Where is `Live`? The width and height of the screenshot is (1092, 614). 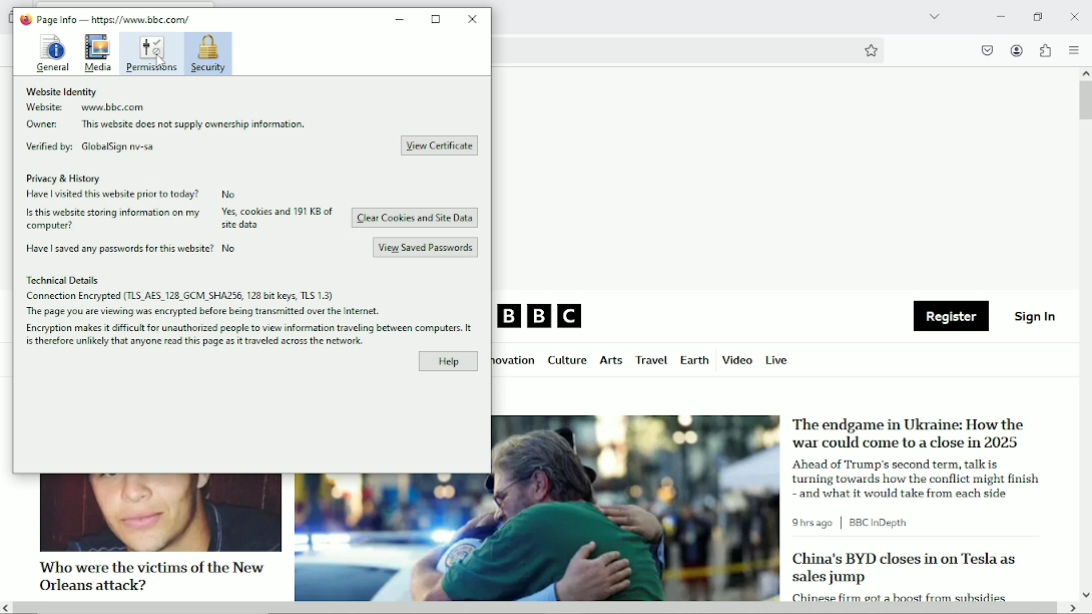
Live is located at coordinates (777, 359).